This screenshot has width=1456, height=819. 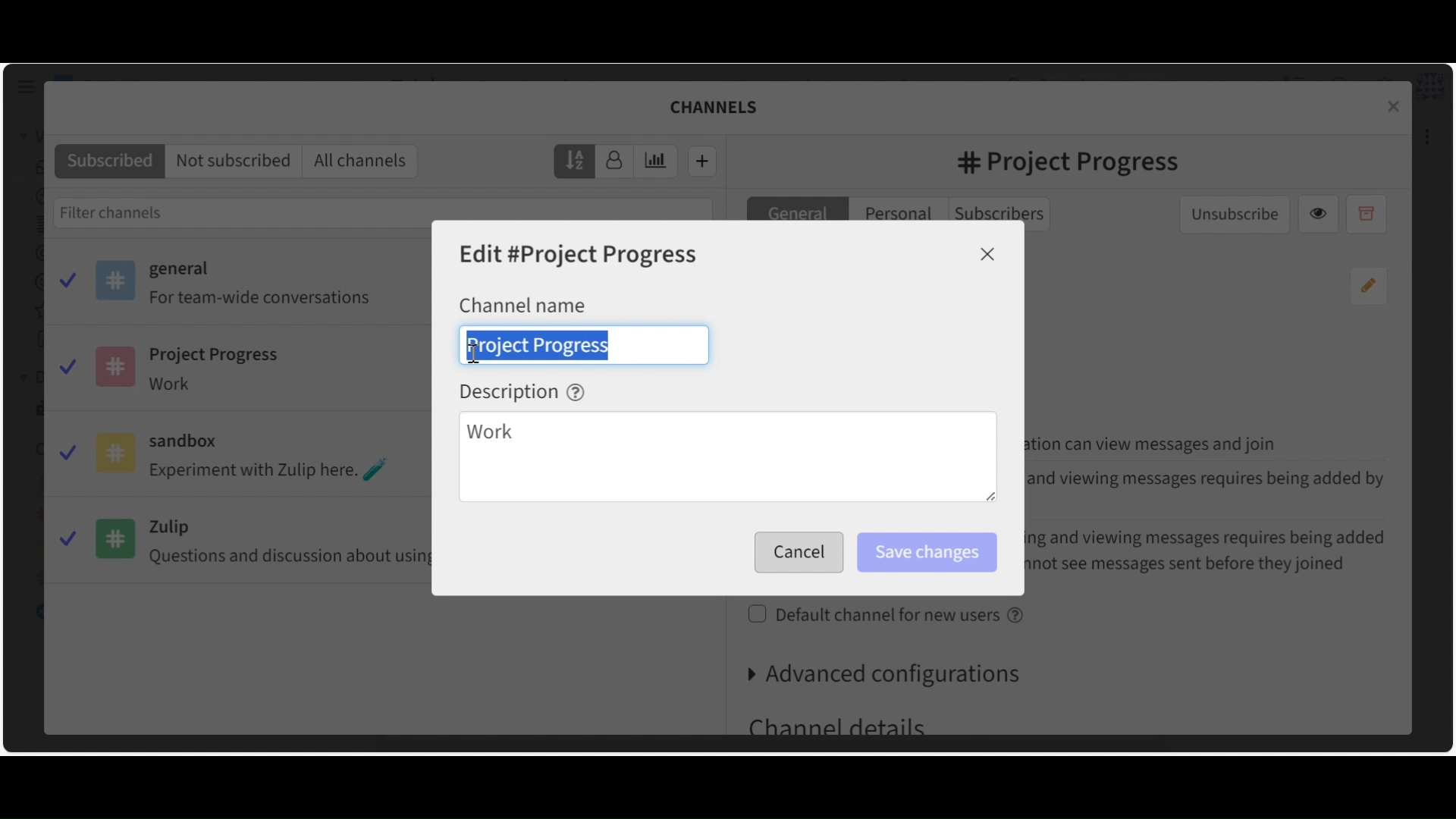 I want to click on Description Field, so click(x=727, y=459).